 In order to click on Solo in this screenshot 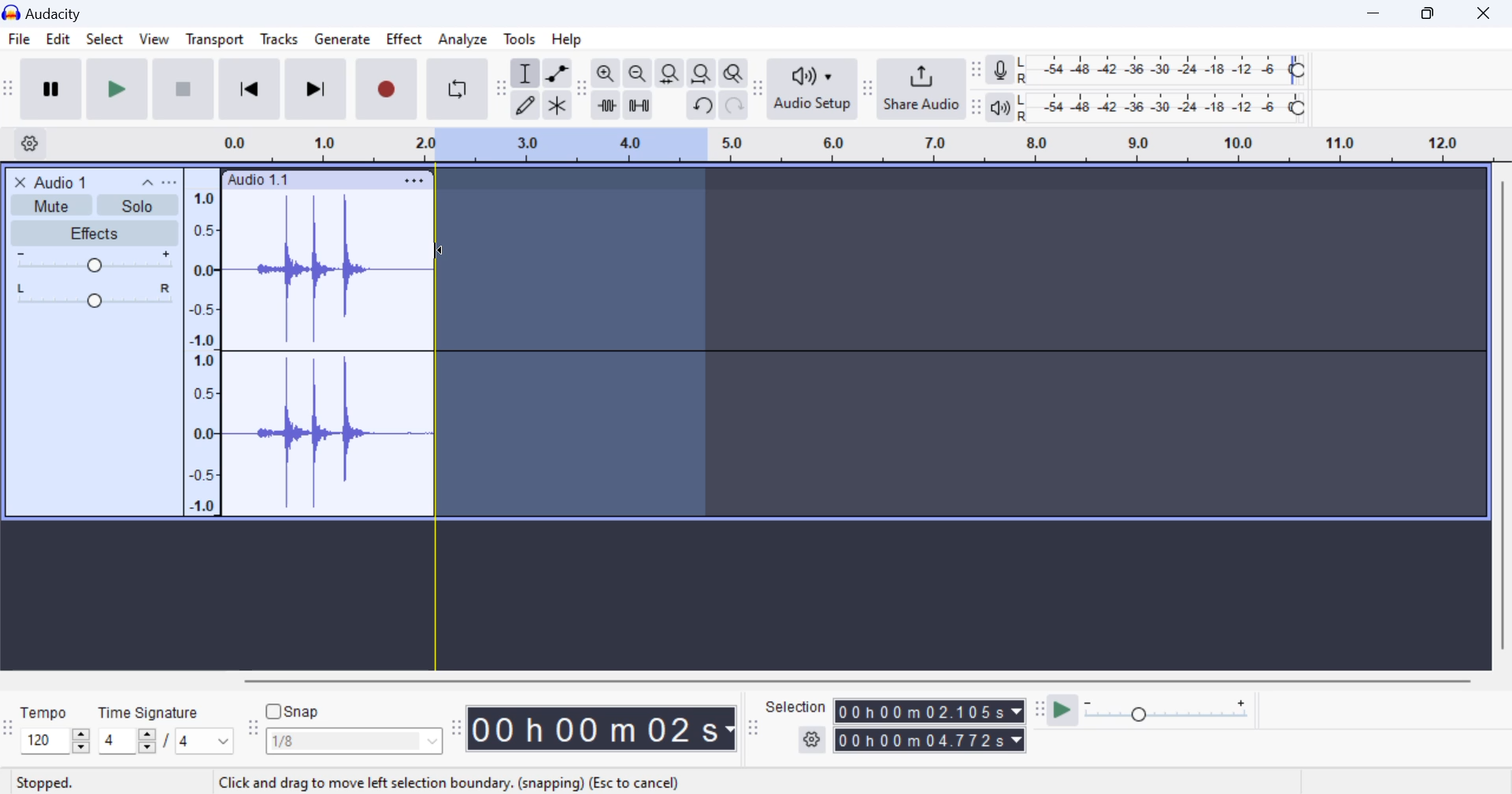, I will do `click(139, 206)`.